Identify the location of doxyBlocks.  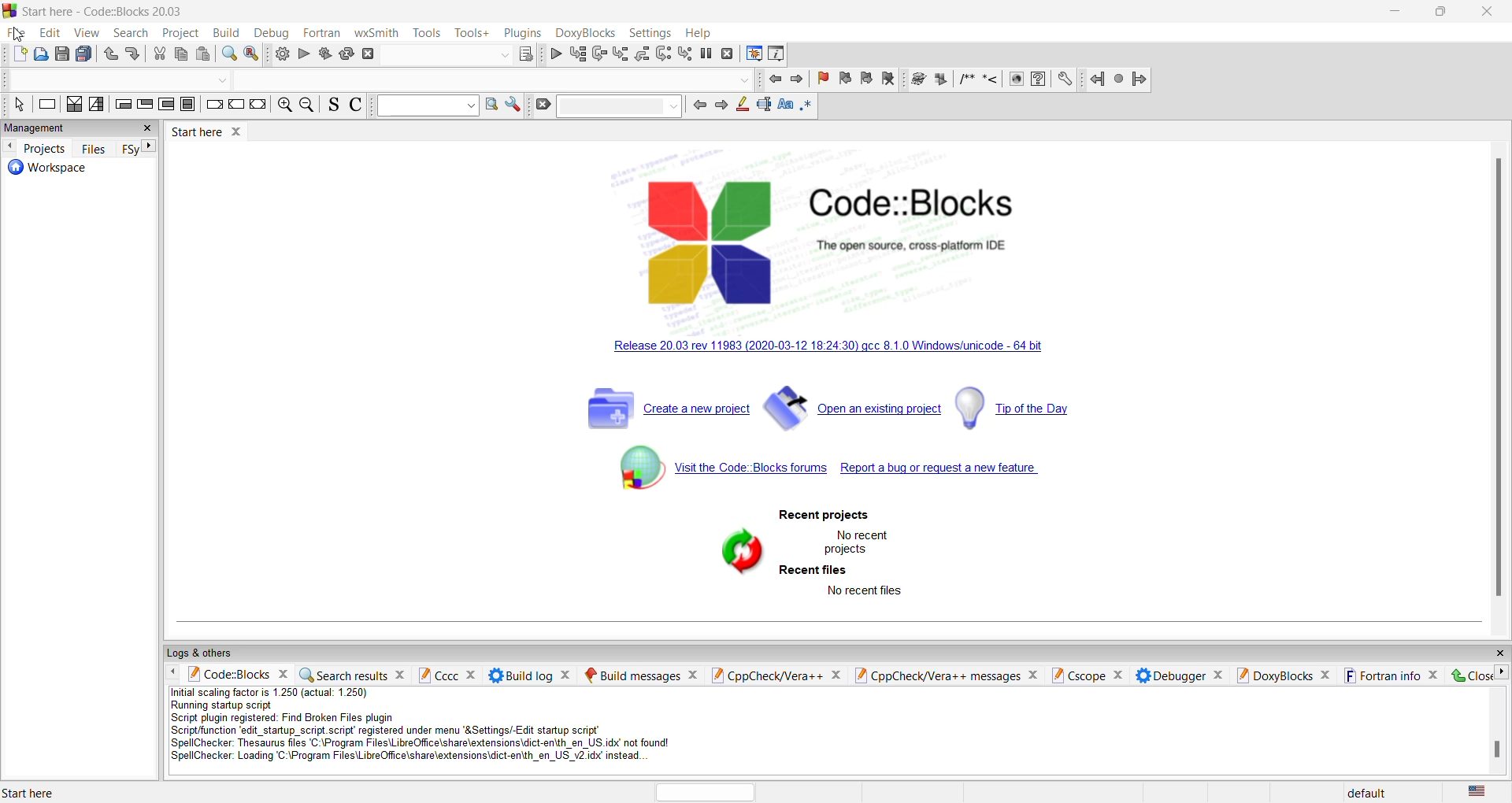
(584, 31).